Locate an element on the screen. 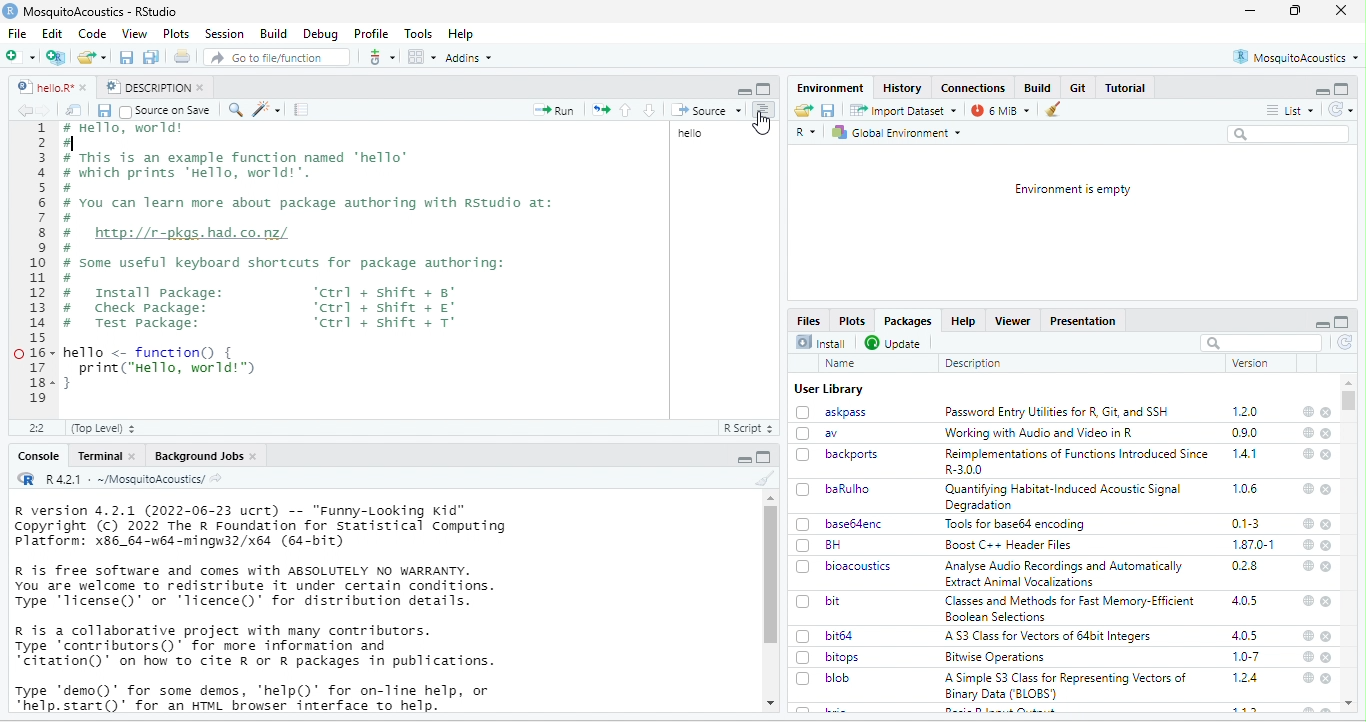  close is located at coordinates (1327, 455).